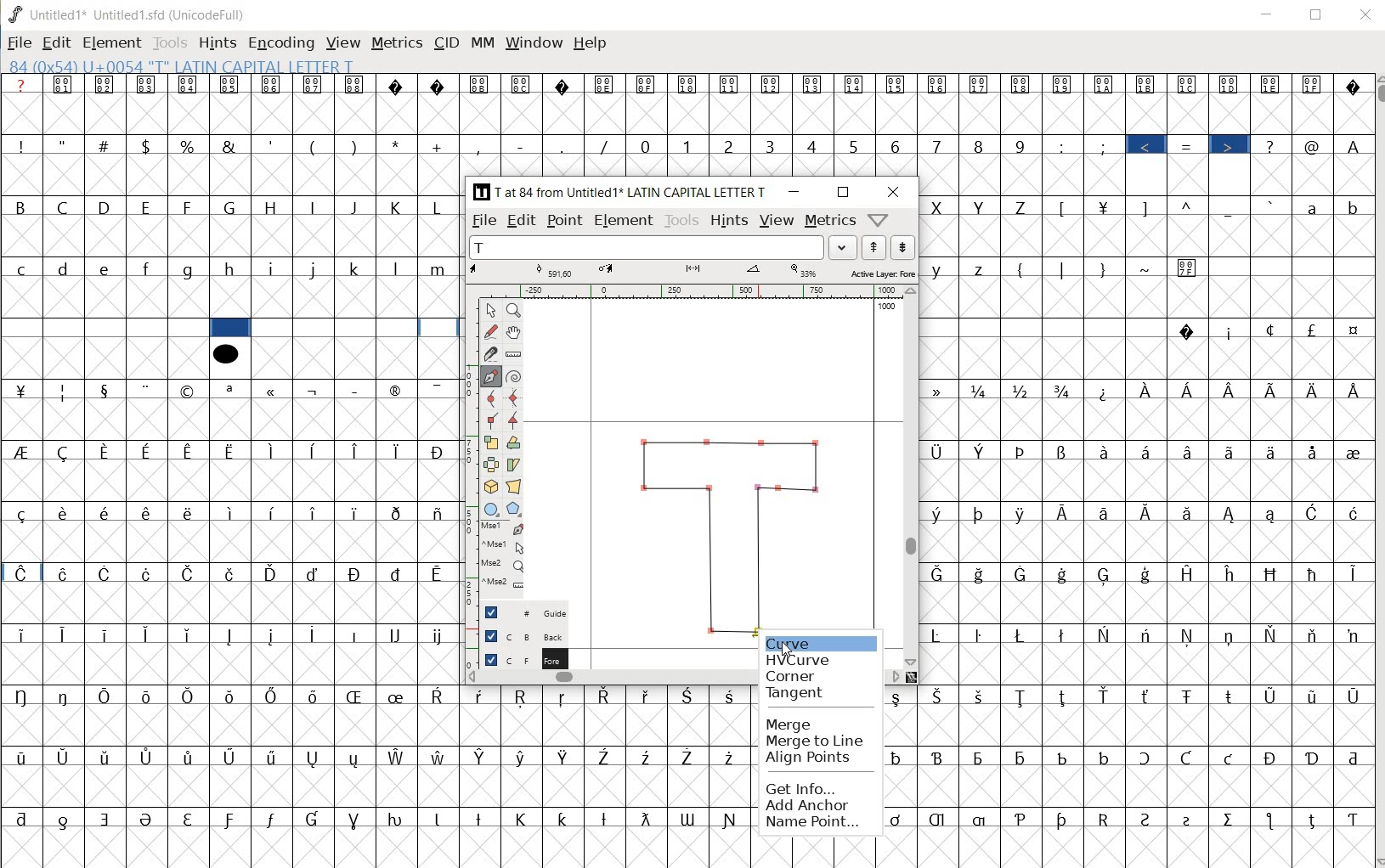 Image resolution: width=1385 pixels, height=868 pixels. What do you see at coordinates (523, 757) in the screenshot?
I see `Symbol` at bounding box center [523, 757].